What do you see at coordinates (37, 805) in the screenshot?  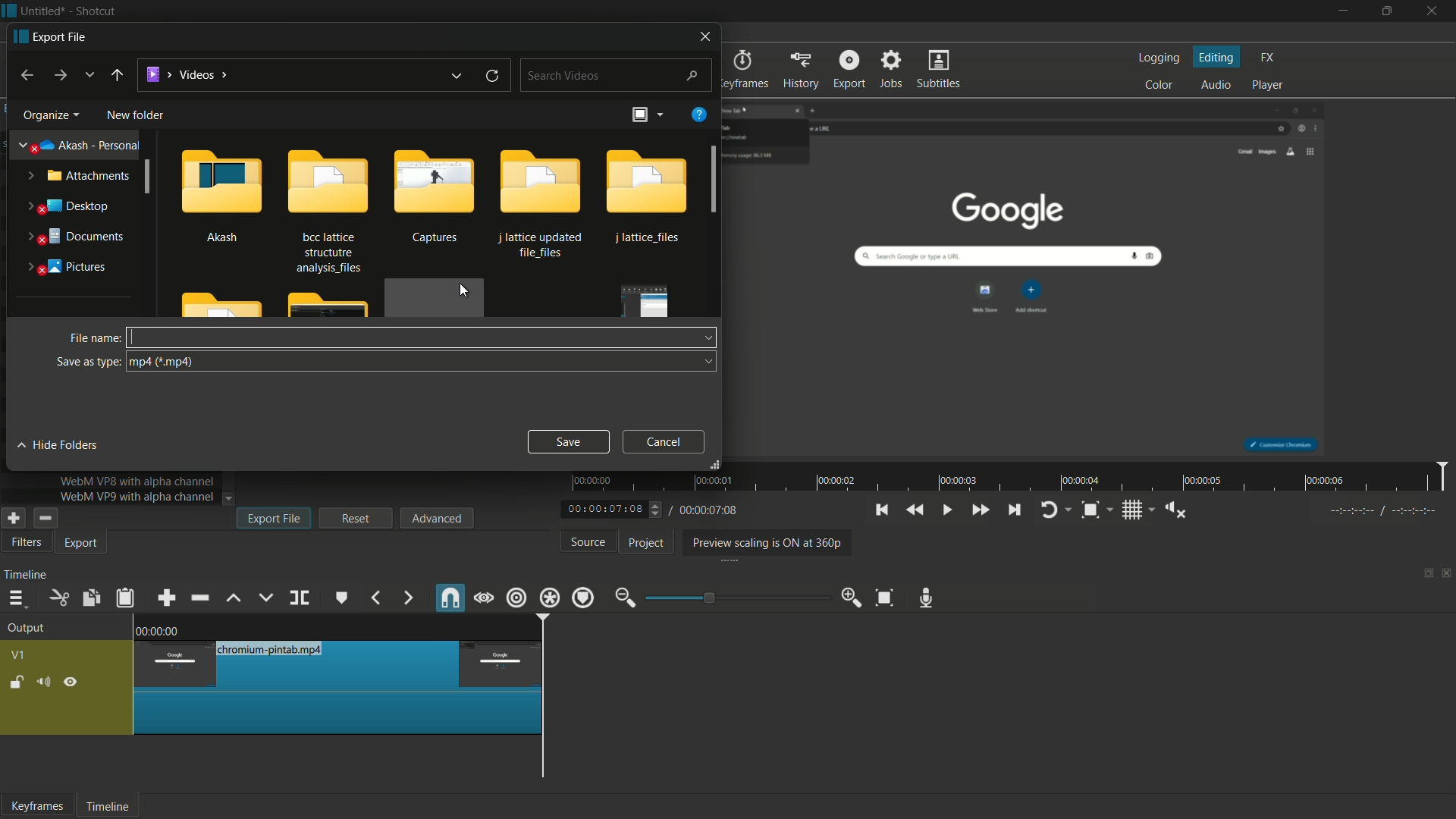 I see `keyframes` at bounding box center [37, 805].